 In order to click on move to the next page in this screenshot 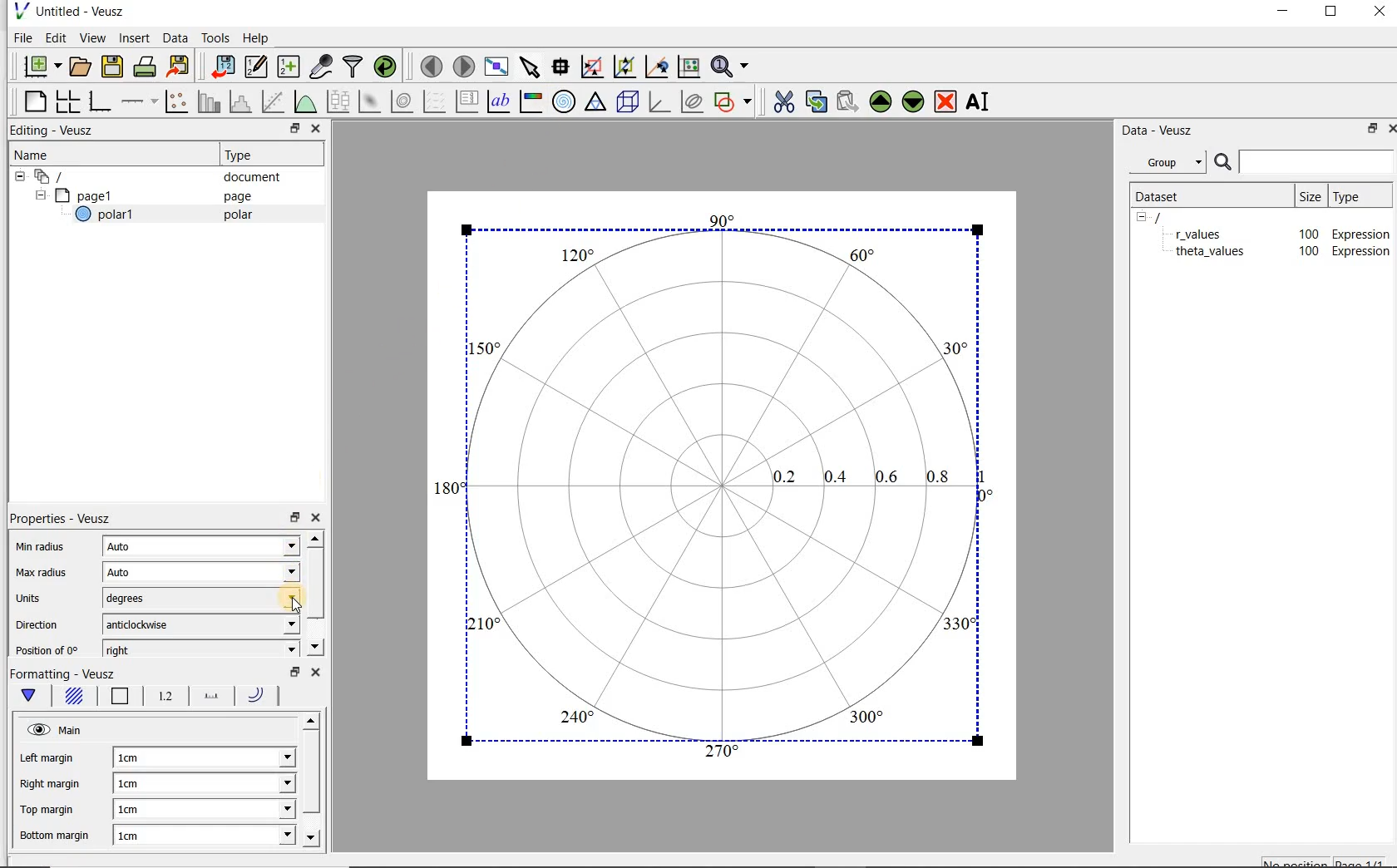, I will do `click(464, 67)`.